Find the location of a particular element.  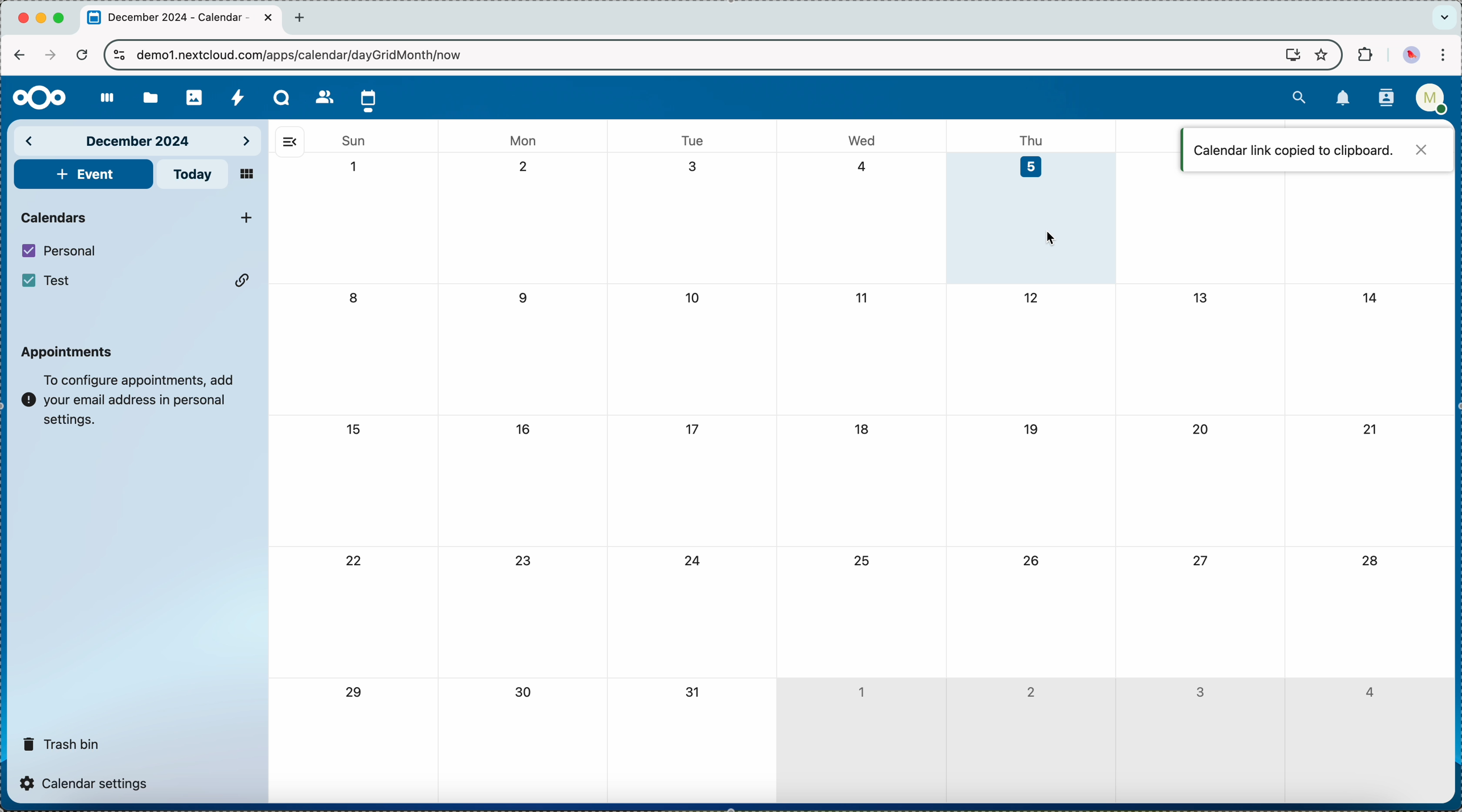

16 is located at coordinates (523, 428).